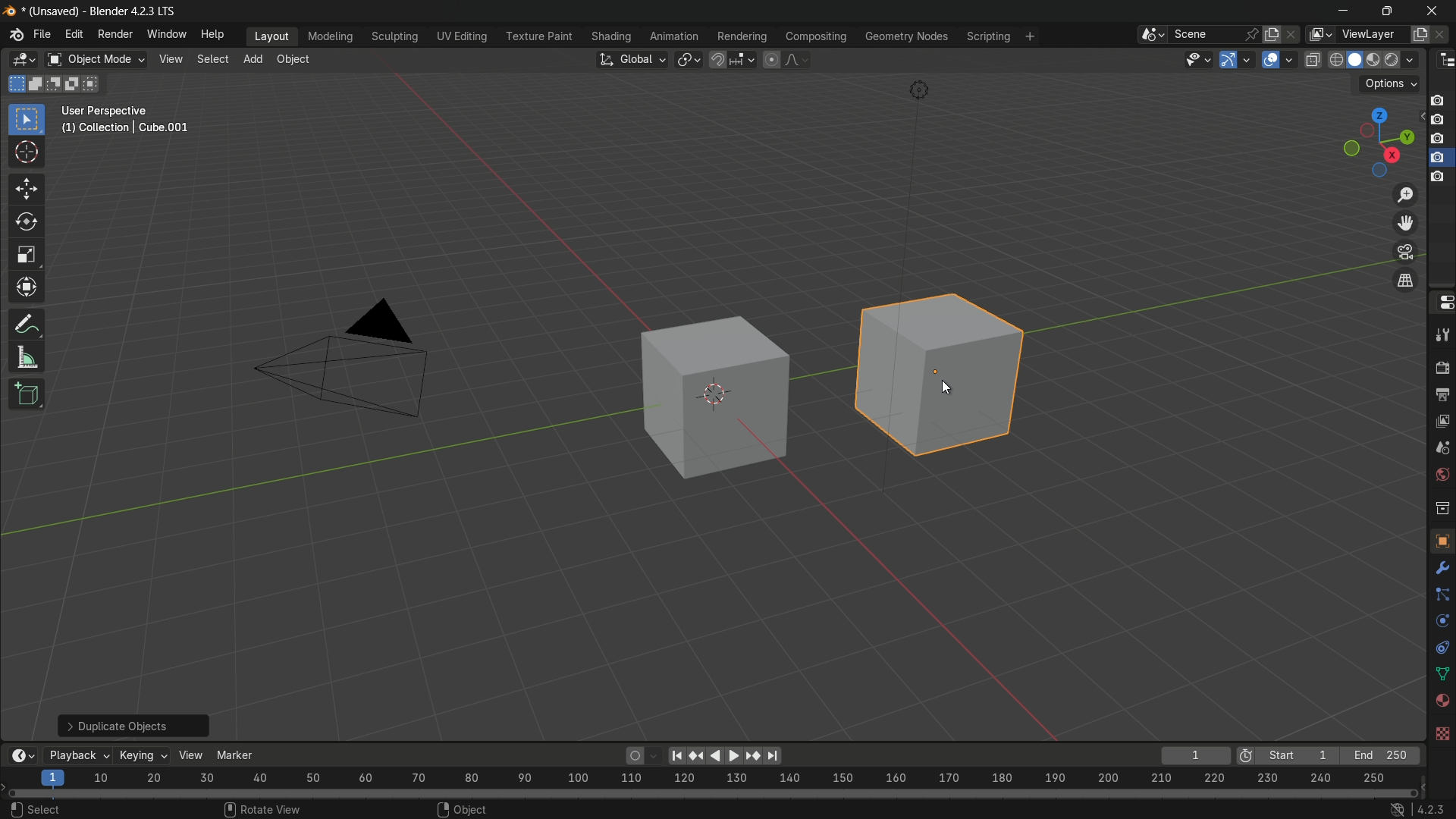 The height and width of the screenshot is (819, 1456). What do you see at coordinates (133, 14) in the screenshot?
I see `app name` at bounding box center [133, 14].